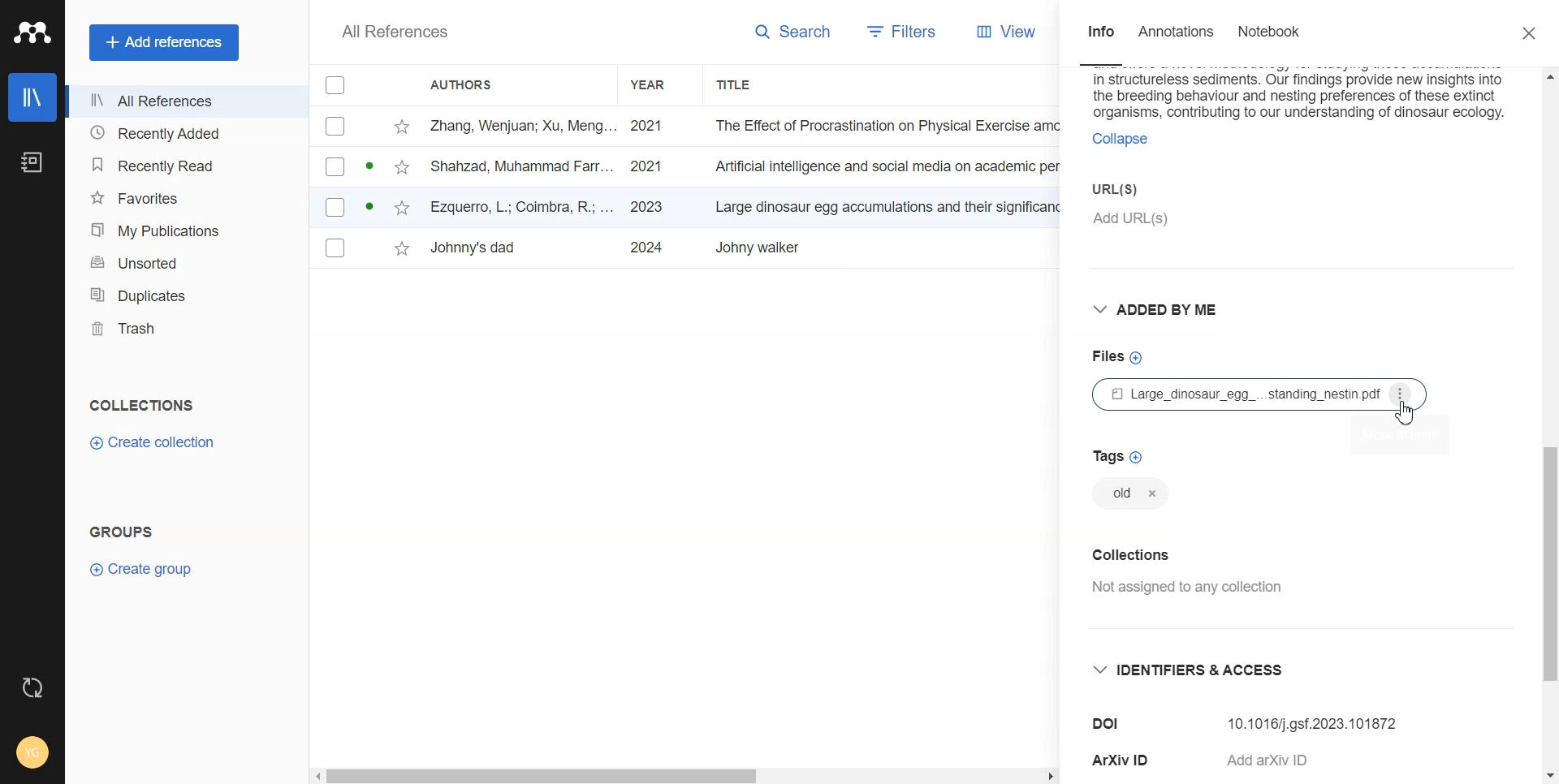  Describe the element at coordinates (1549, 563) in the screenshot. I see `Vertical scrollbar` at that location.